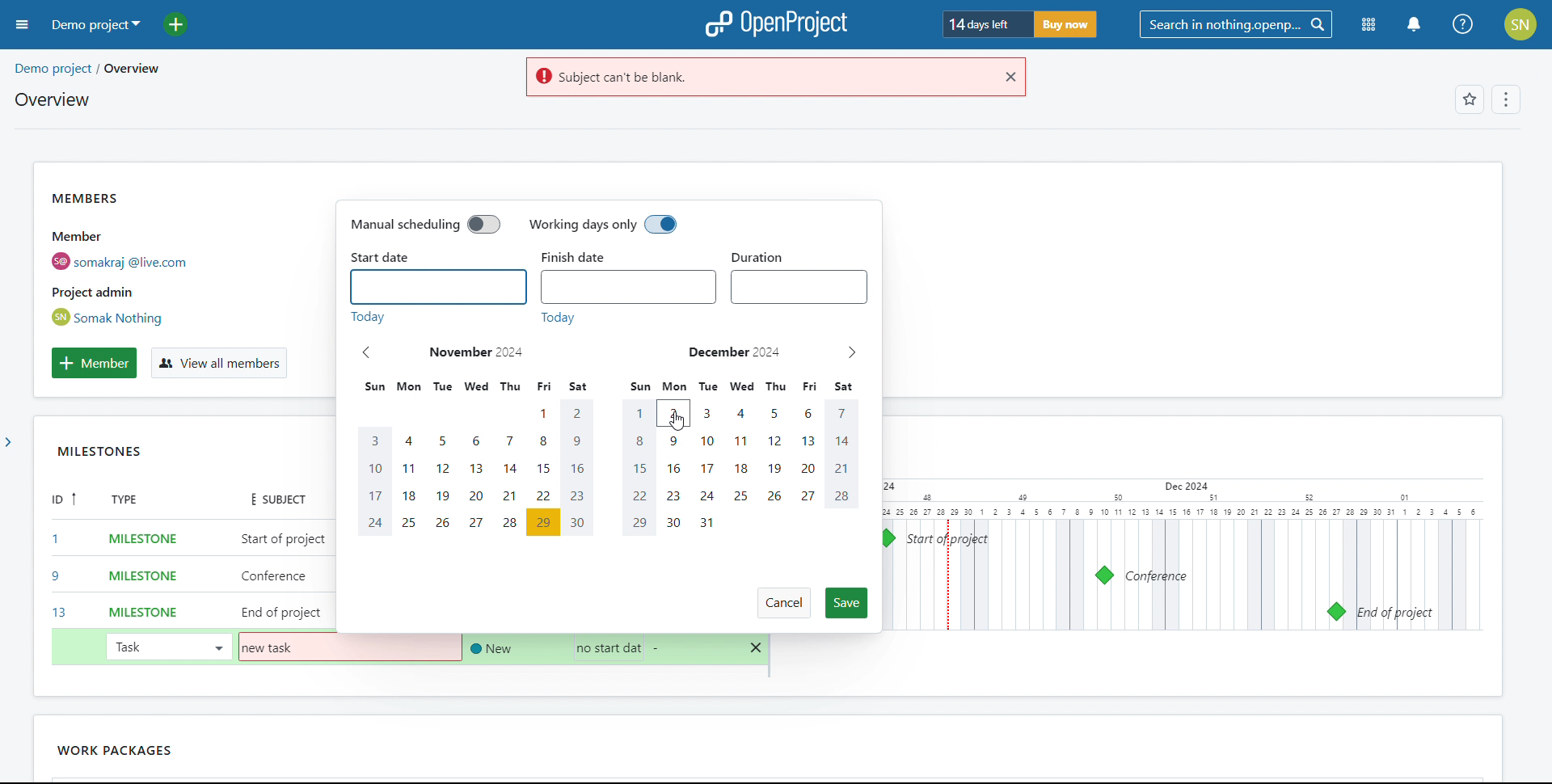 This screenshot has width=1552, height=784. Describe the element at coordinates (438, 287) in the screenshot. I see `start date` at that location.